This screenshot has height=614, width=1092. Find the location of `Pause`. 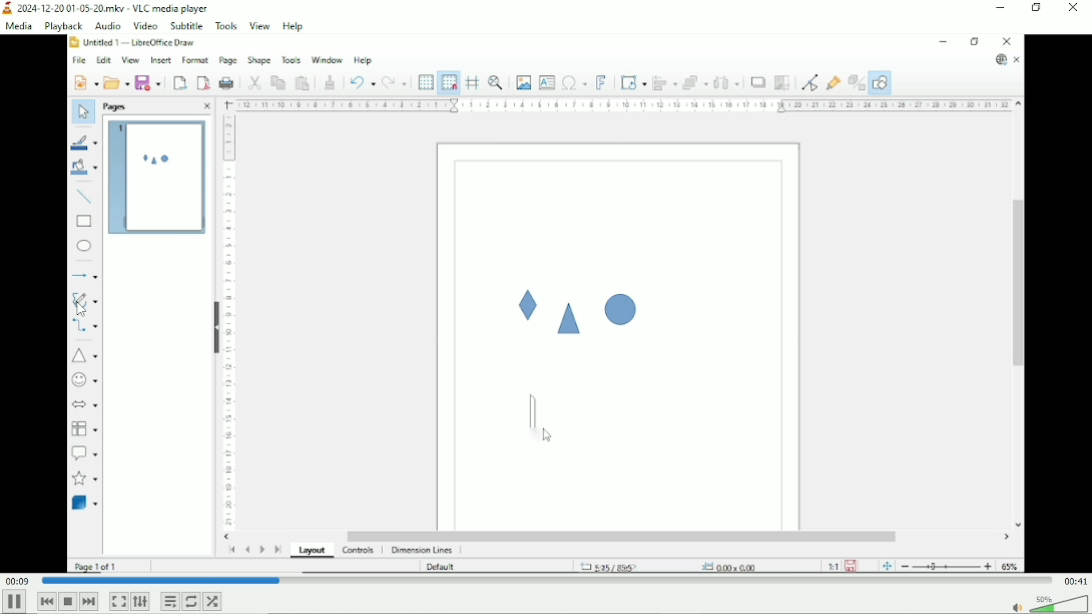

Pause is located at coordinates (14, 602).